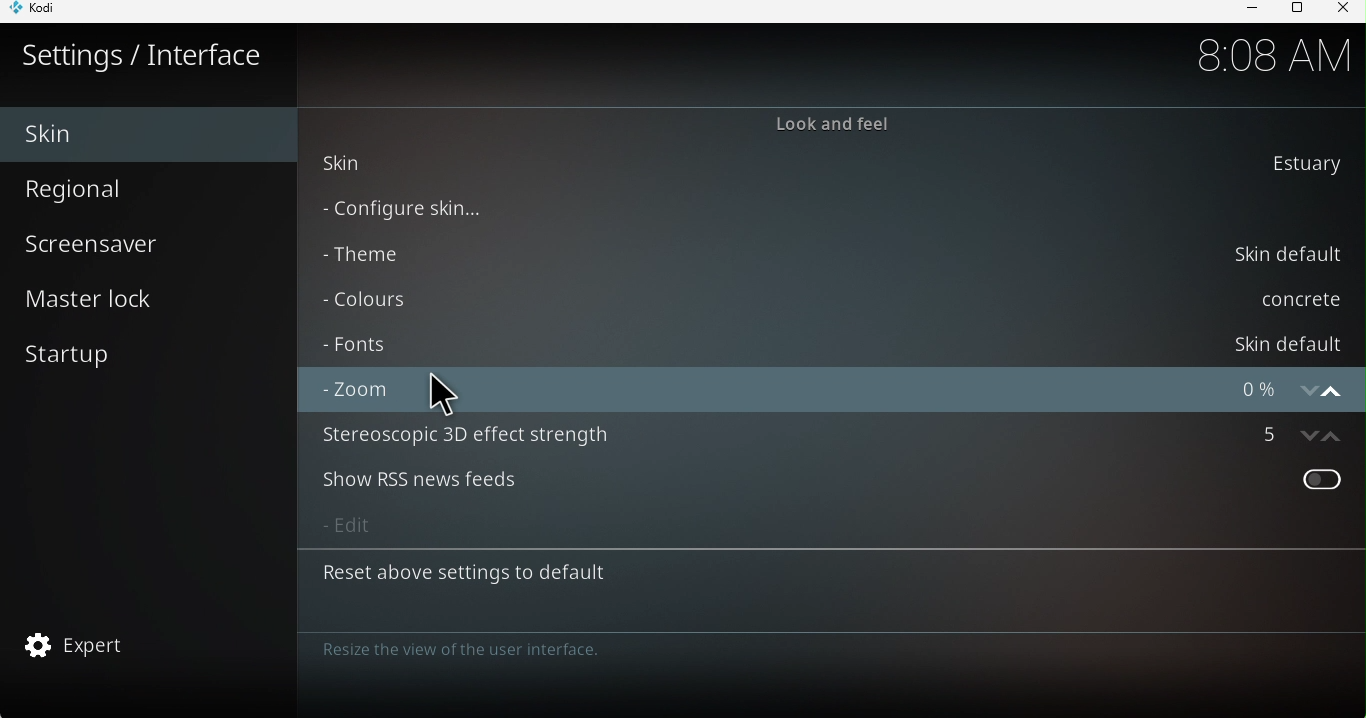 Image resolution: width=1366 pixels, height=718 pixels. I want to click on Settings/interface, so click(143, 54).